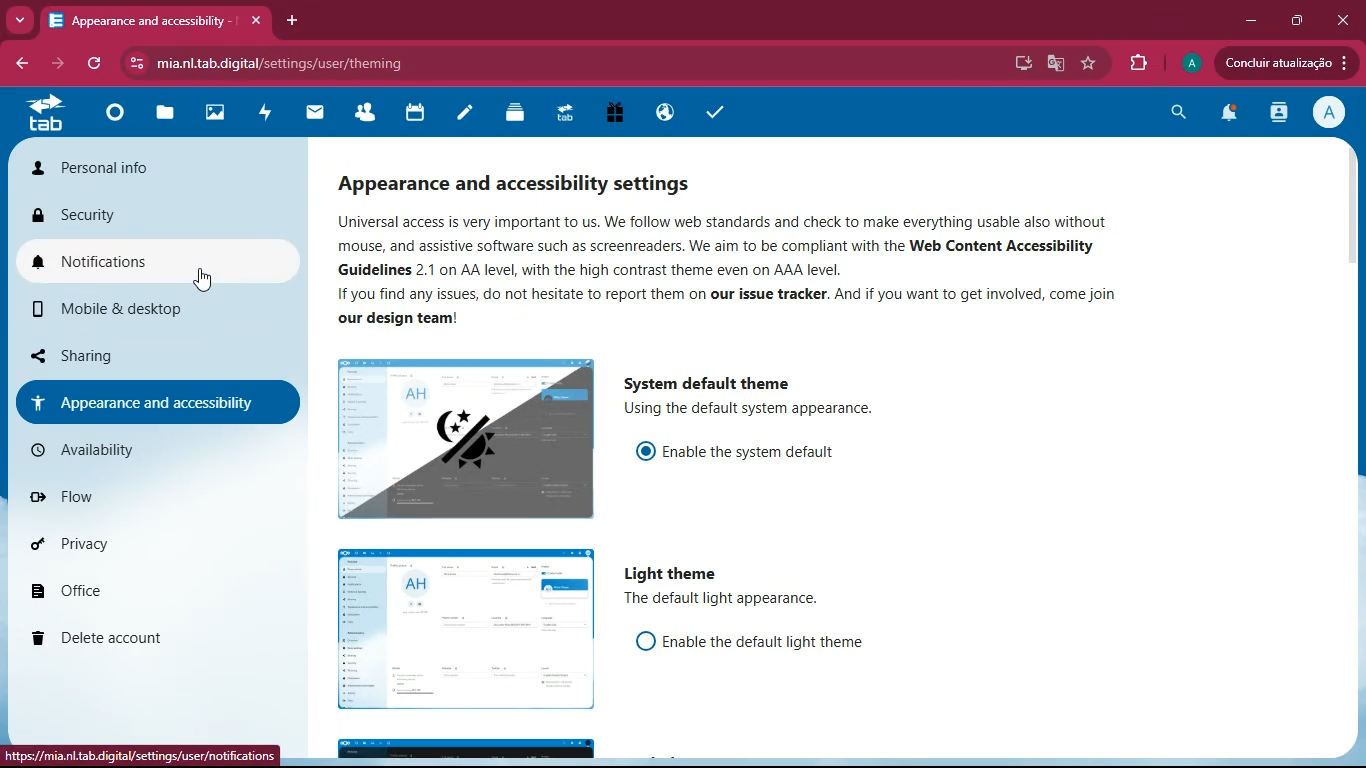 Image resolution: width=1366 pixels, height=768 pixels. I want to click on View site information, so click(137, 63).